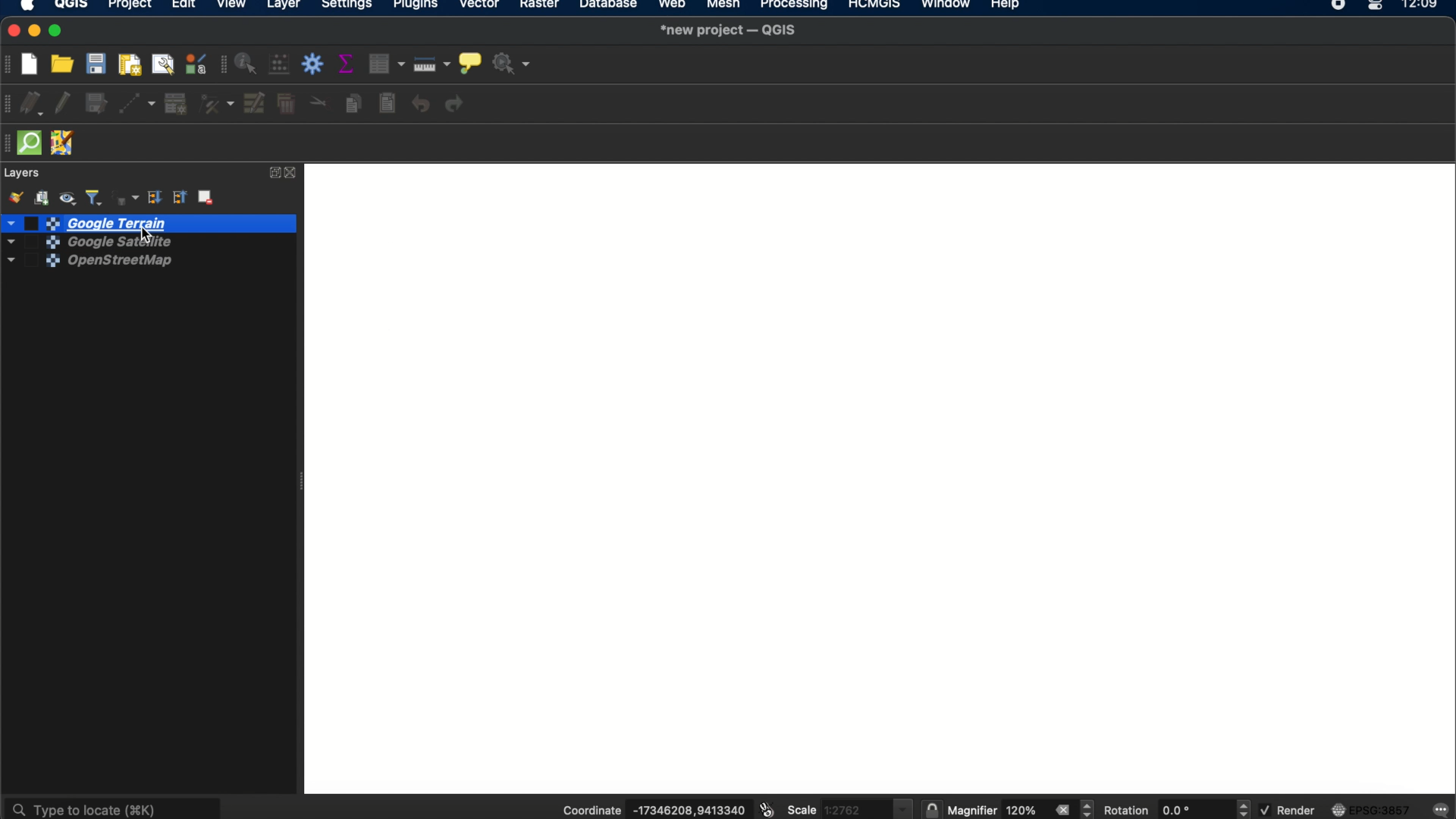 The width and height of the screenshot is (1456, 819). I want to click on QGIS, so click(71, 6).